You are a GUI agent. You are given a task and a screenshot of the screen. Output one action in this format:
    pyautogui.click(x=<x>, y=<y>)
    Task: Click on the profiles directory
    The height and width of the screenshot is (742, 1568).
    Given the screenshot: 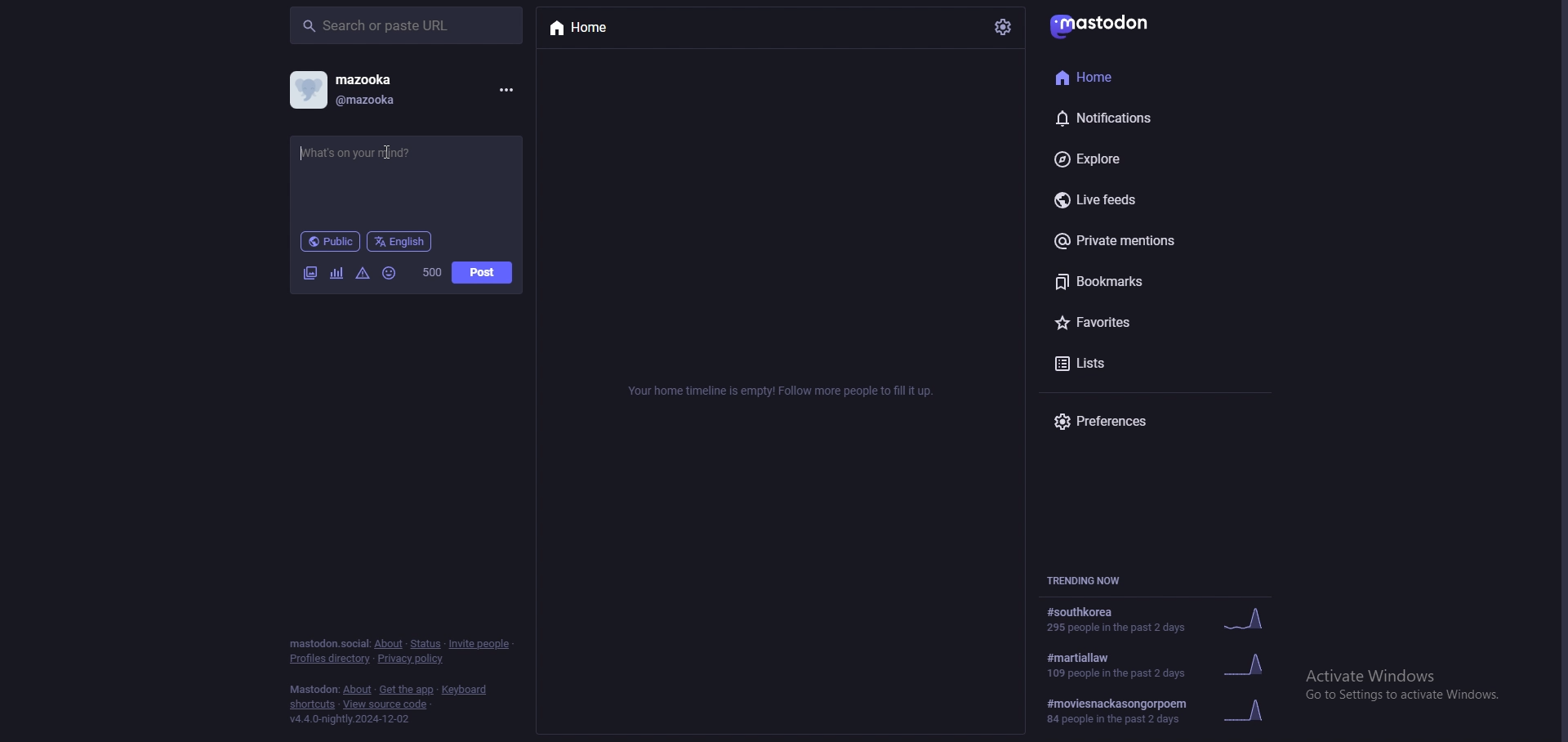 What is the action you would take?
    pyautogui.click(x=331, y=659)
    